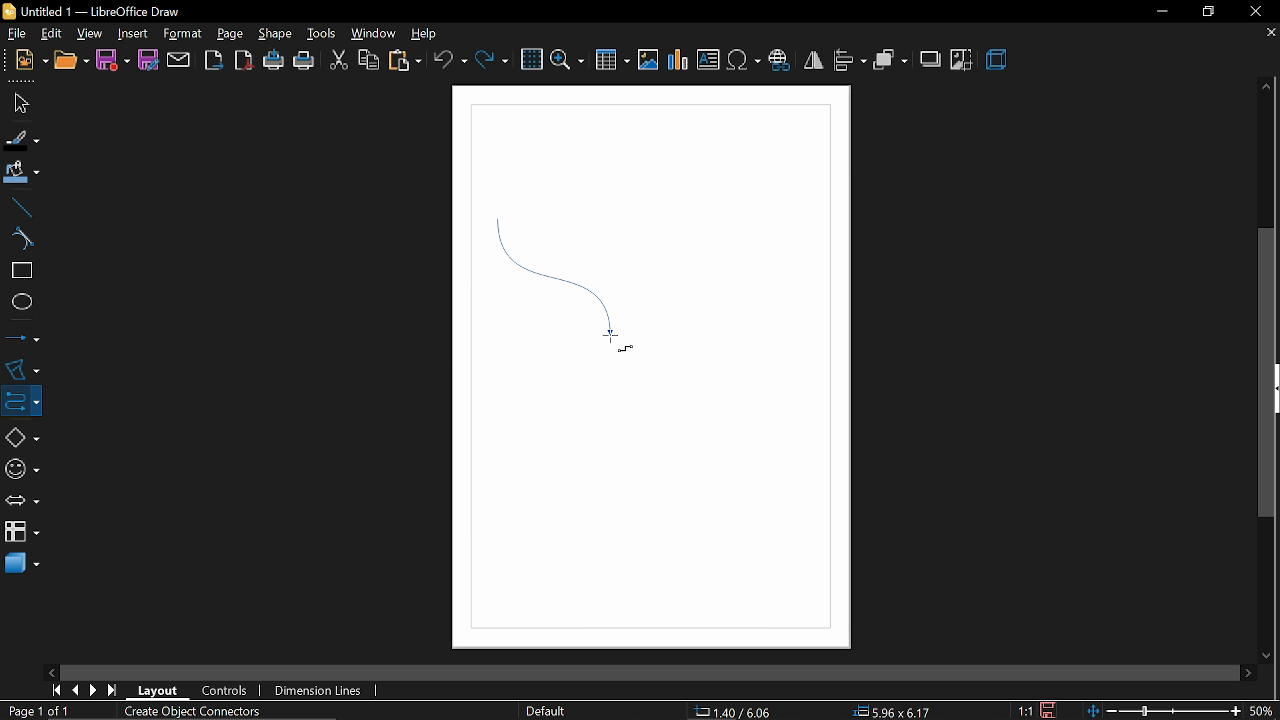 Image resolution: width=1280 pixels, height=720 pixels. Describe the element at coordinates (24, 62) in the screenshot. I see `new` at that location.